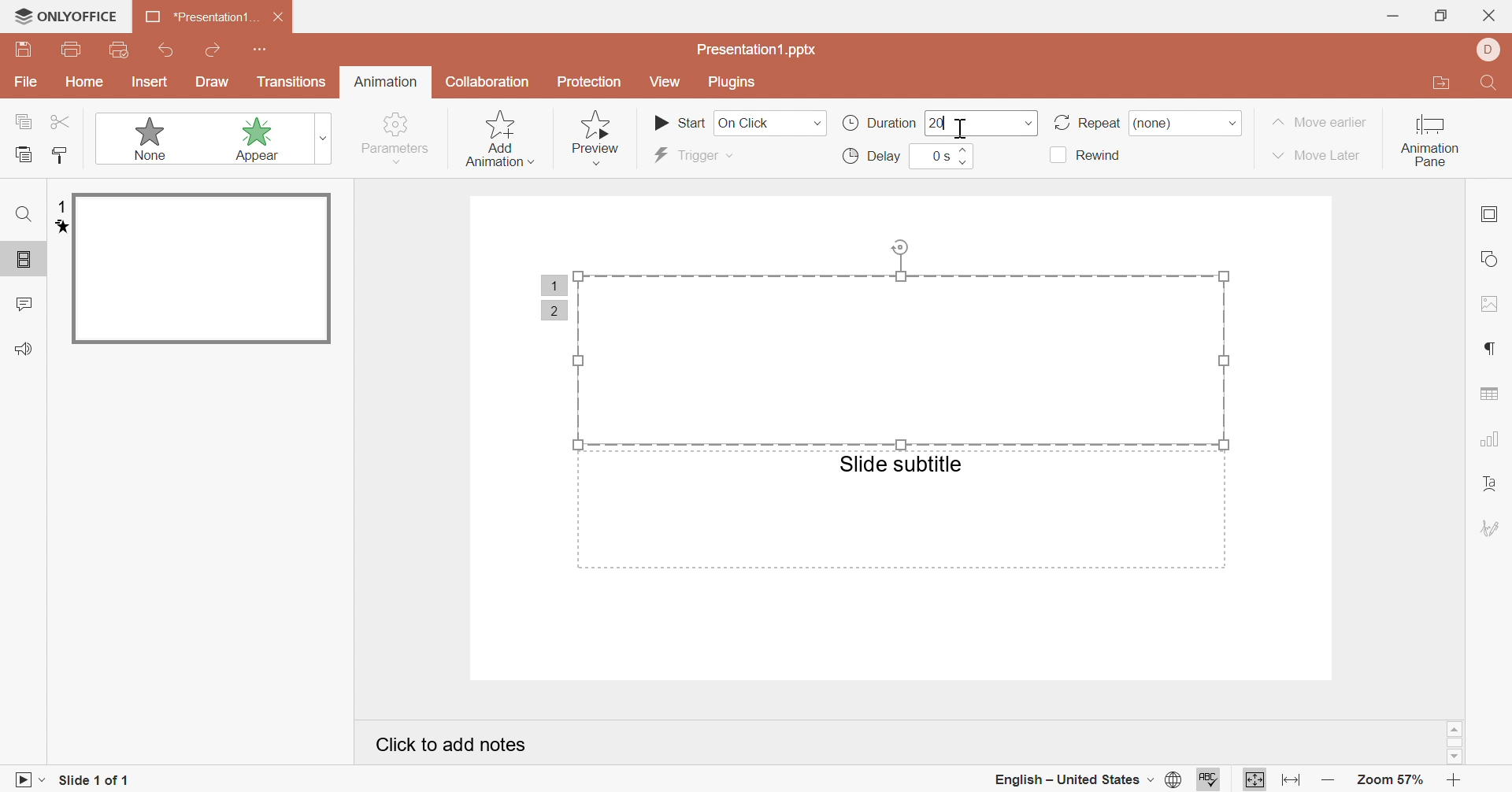 This screenshot has width=1512, height=792. I want to click on save, so click(24, 49).